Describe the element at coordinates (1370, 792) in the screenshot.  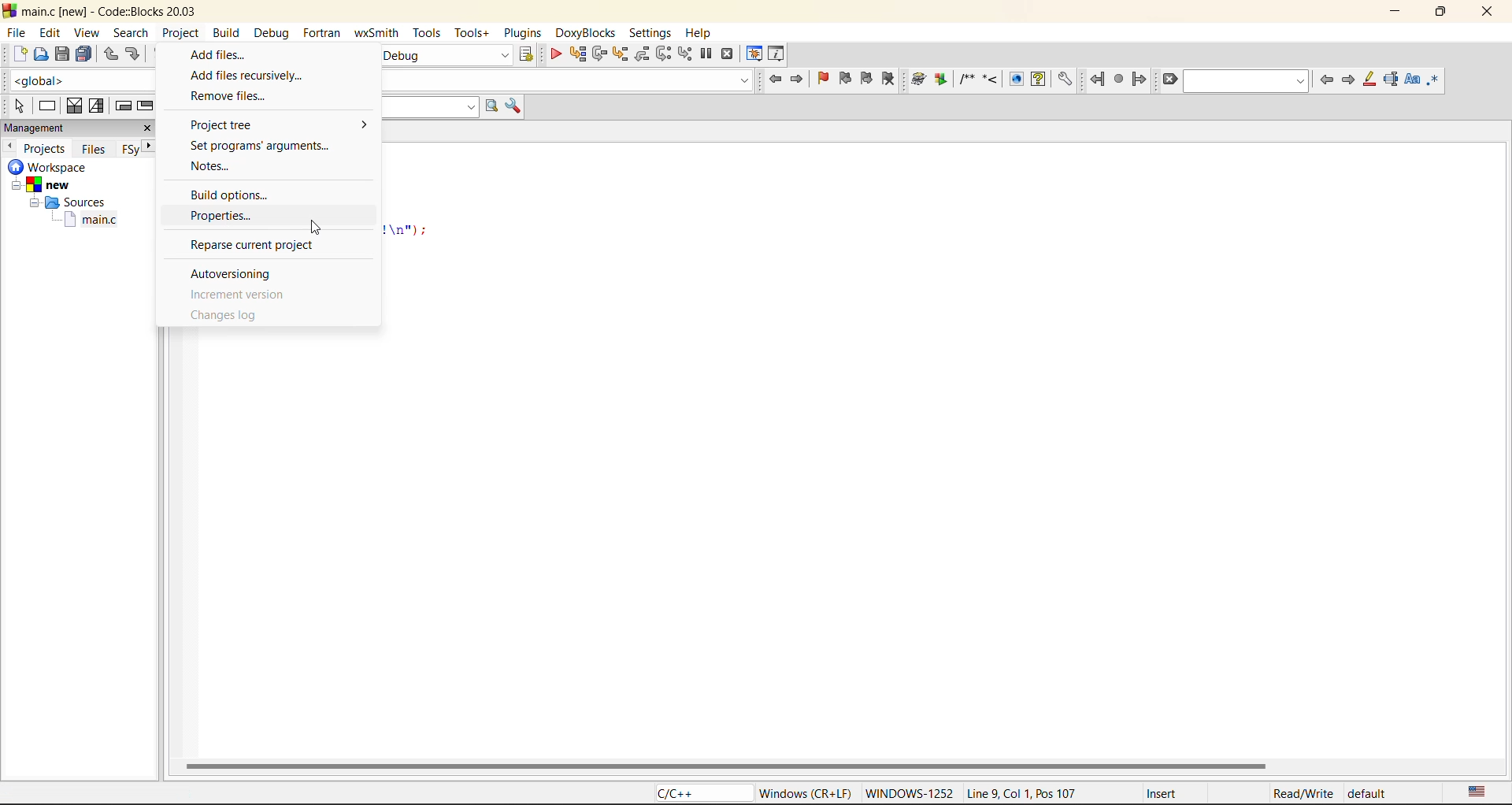
I see `default` at that location.